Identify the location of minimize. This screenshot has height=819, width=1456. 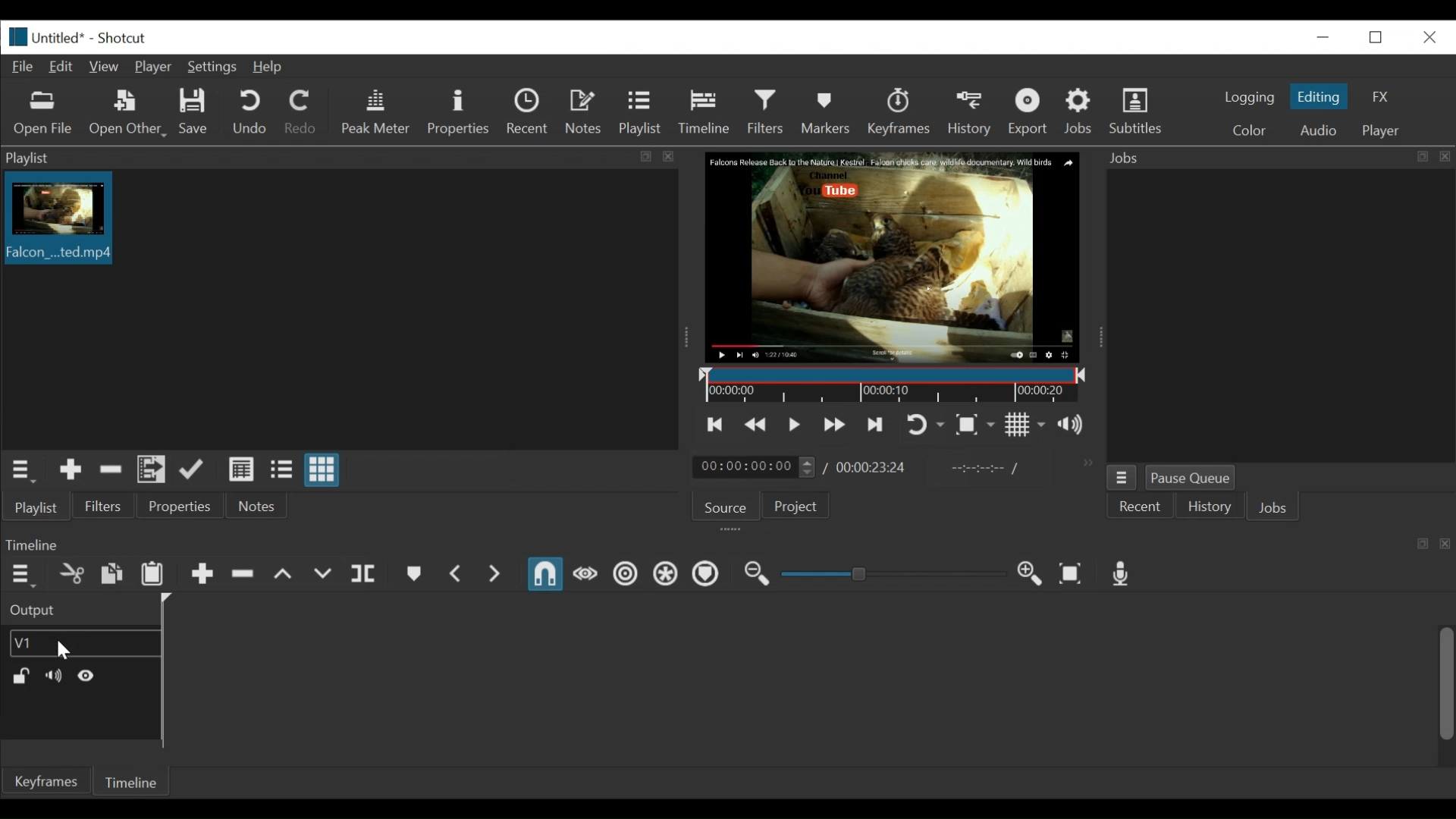
(1323, 37).